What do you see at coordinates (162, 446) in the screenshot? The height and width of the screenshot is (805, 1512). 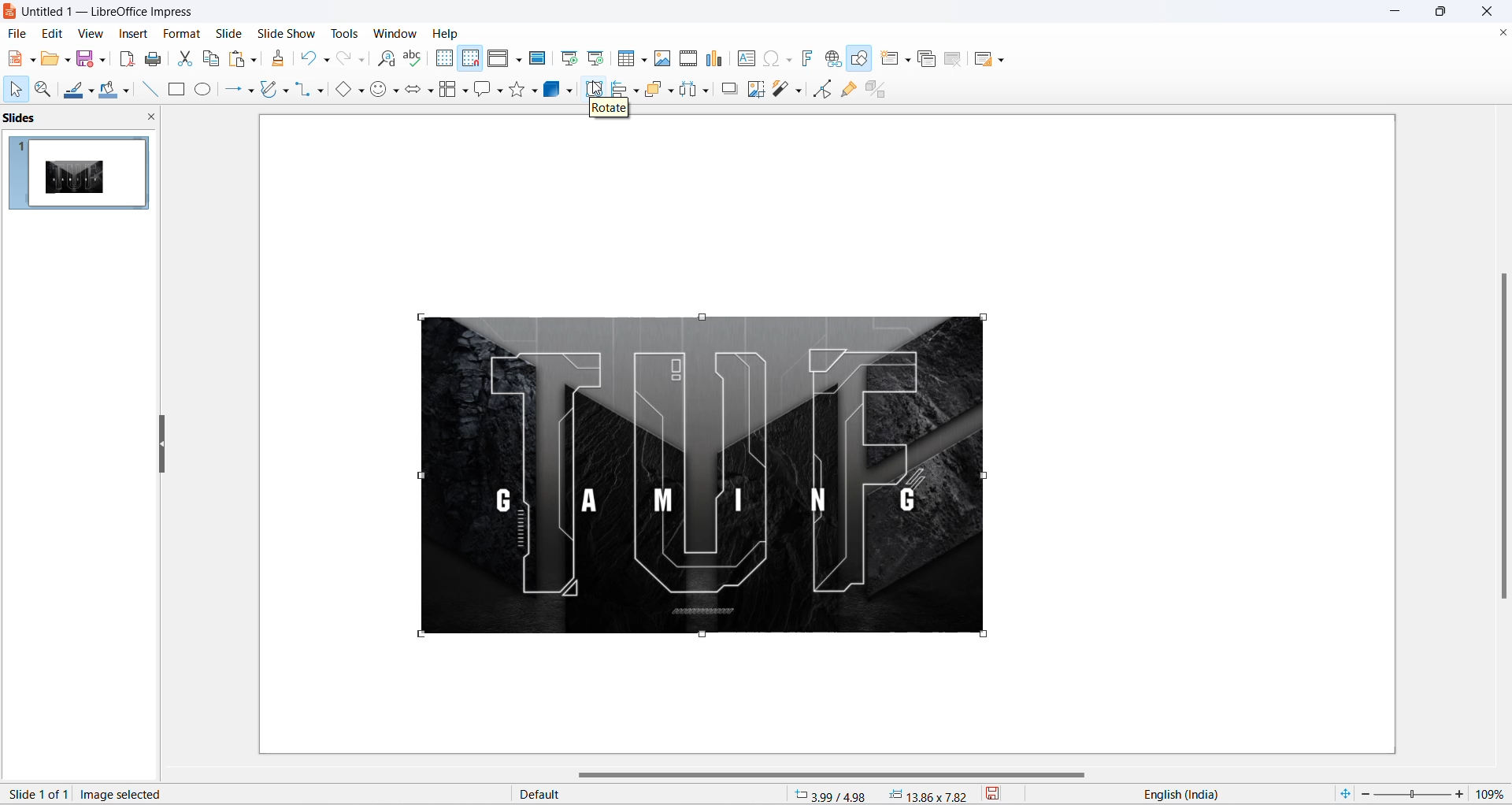 I see `resize` at bounding box center [162, 446].